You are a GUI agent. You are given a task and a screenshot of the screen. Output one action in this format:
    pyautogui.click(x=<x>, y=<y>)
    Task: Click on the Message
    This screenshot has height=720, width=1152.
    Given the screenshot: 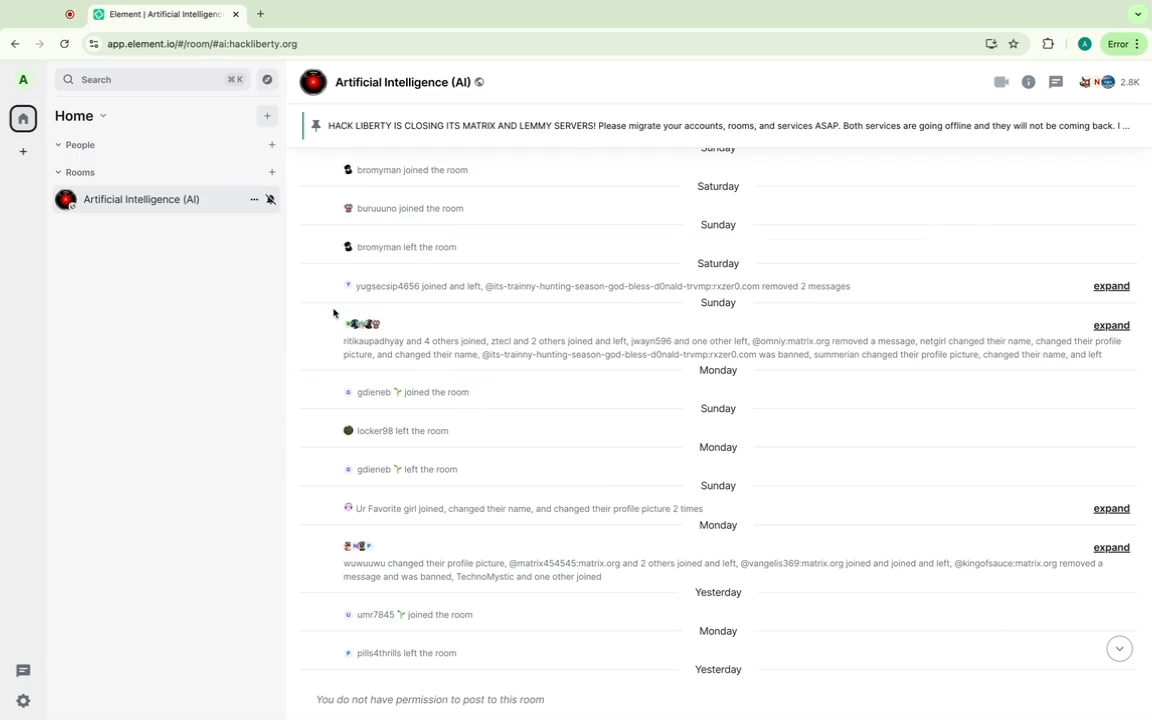 What is the action you would take?
    pyautogui.click(x=435, y=698)
    